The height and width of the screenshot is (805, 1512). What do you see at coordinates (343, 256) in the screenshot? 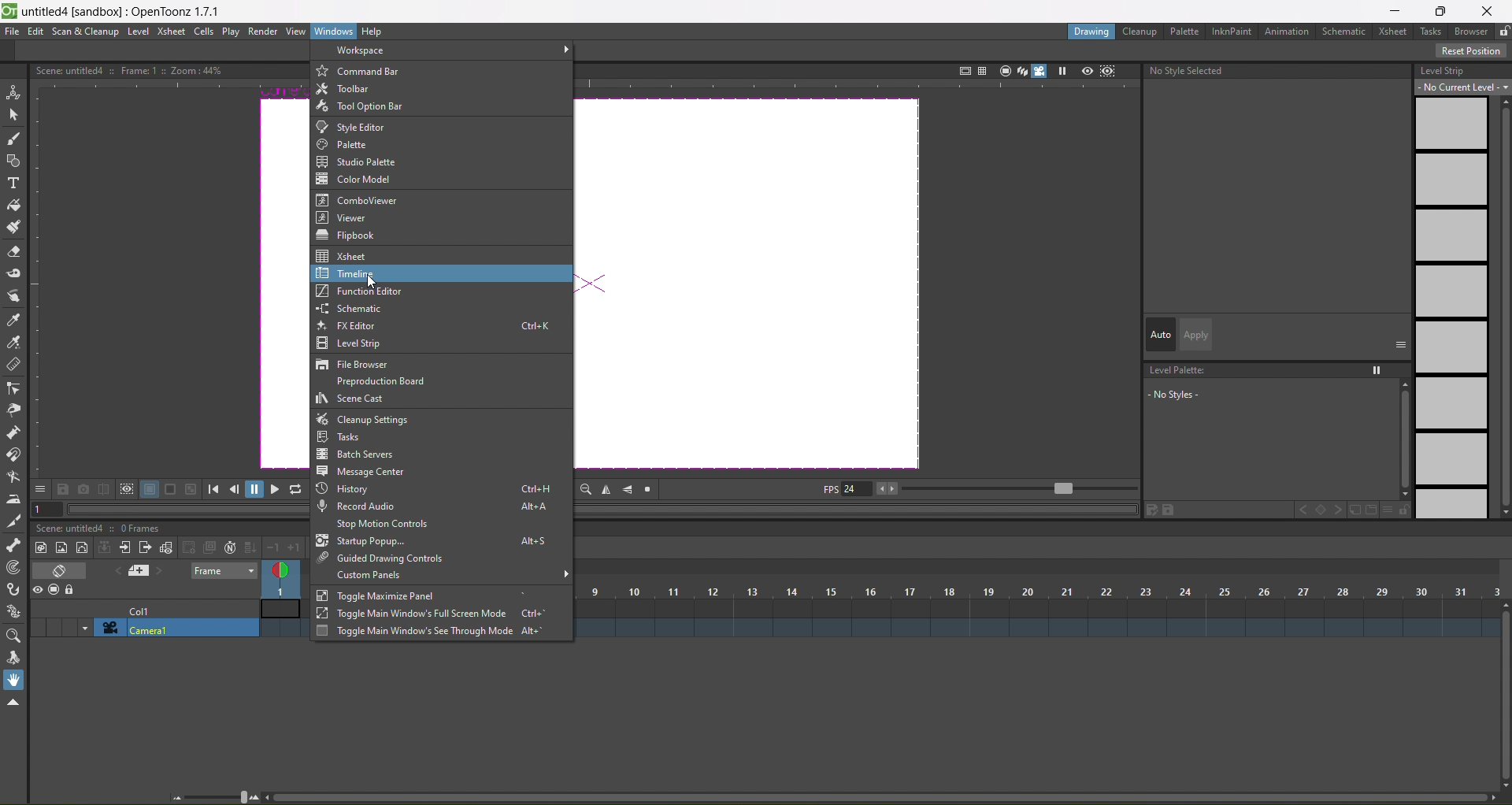
I see `xsheet` at bounding box center [343, 256].